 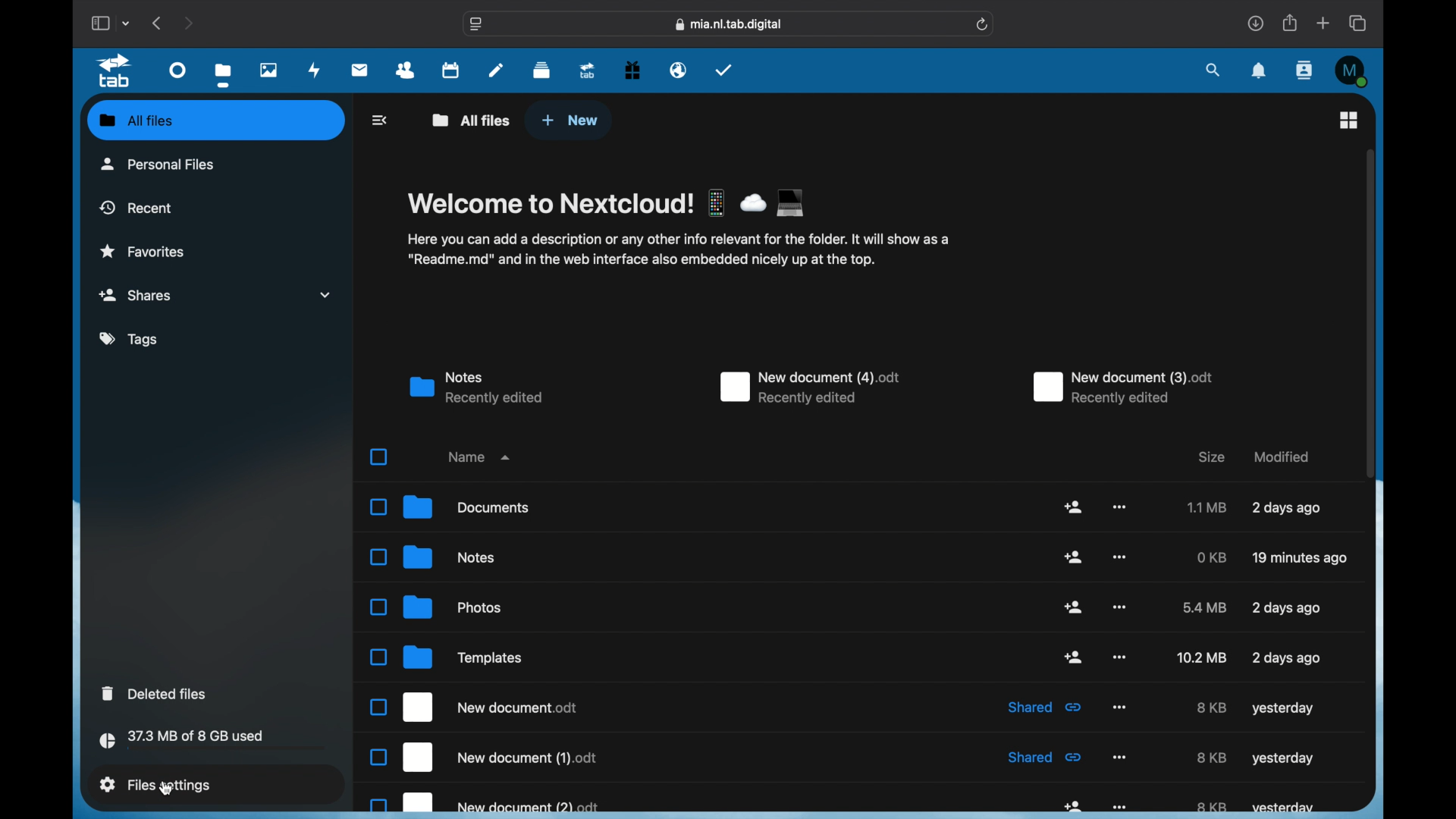 What do you see at coordinates (1119, 808) in the screenshot?
I see `more options` at bounding box center [1119, 808].